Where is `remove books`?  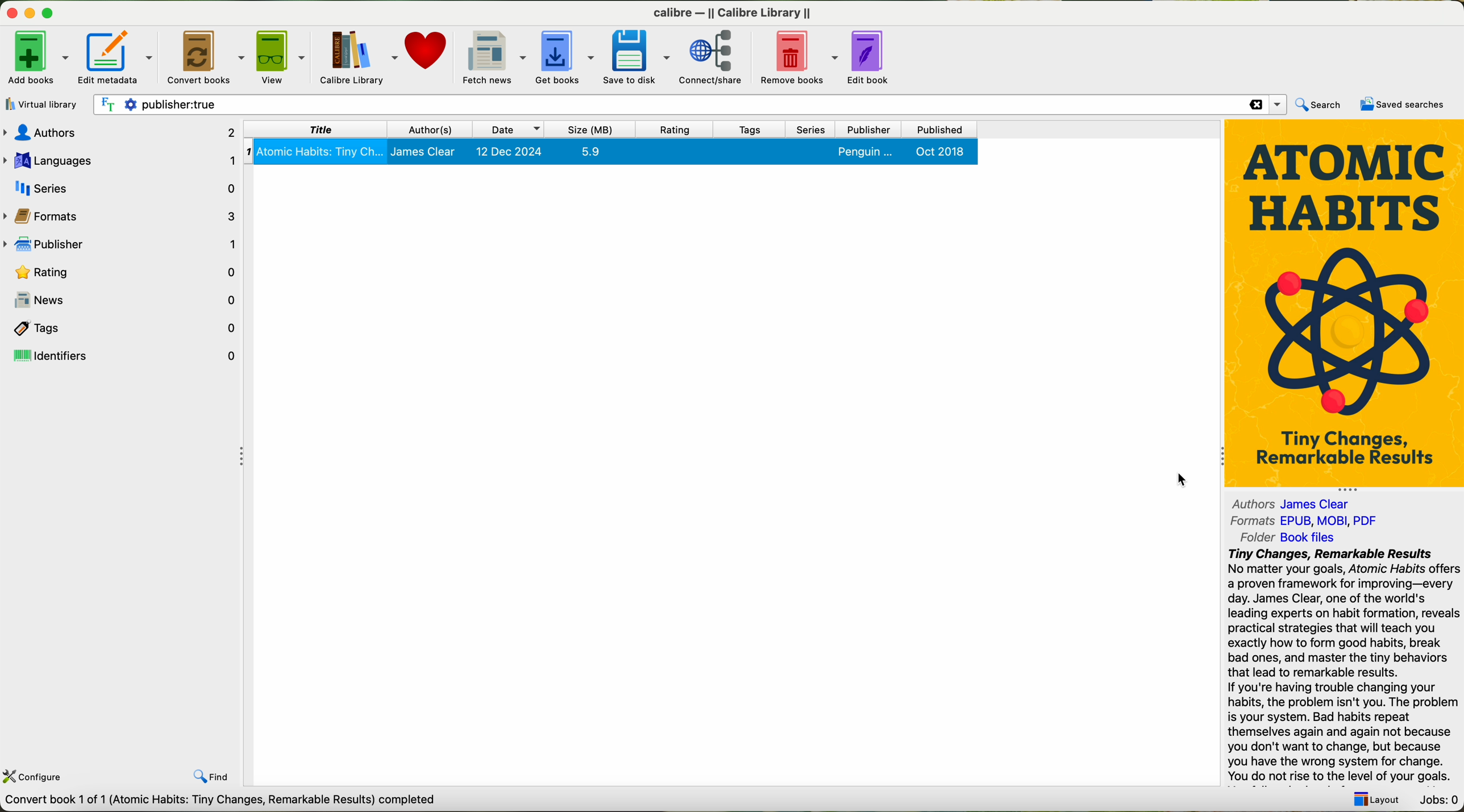 remove books is located at coordinates (798, 57).